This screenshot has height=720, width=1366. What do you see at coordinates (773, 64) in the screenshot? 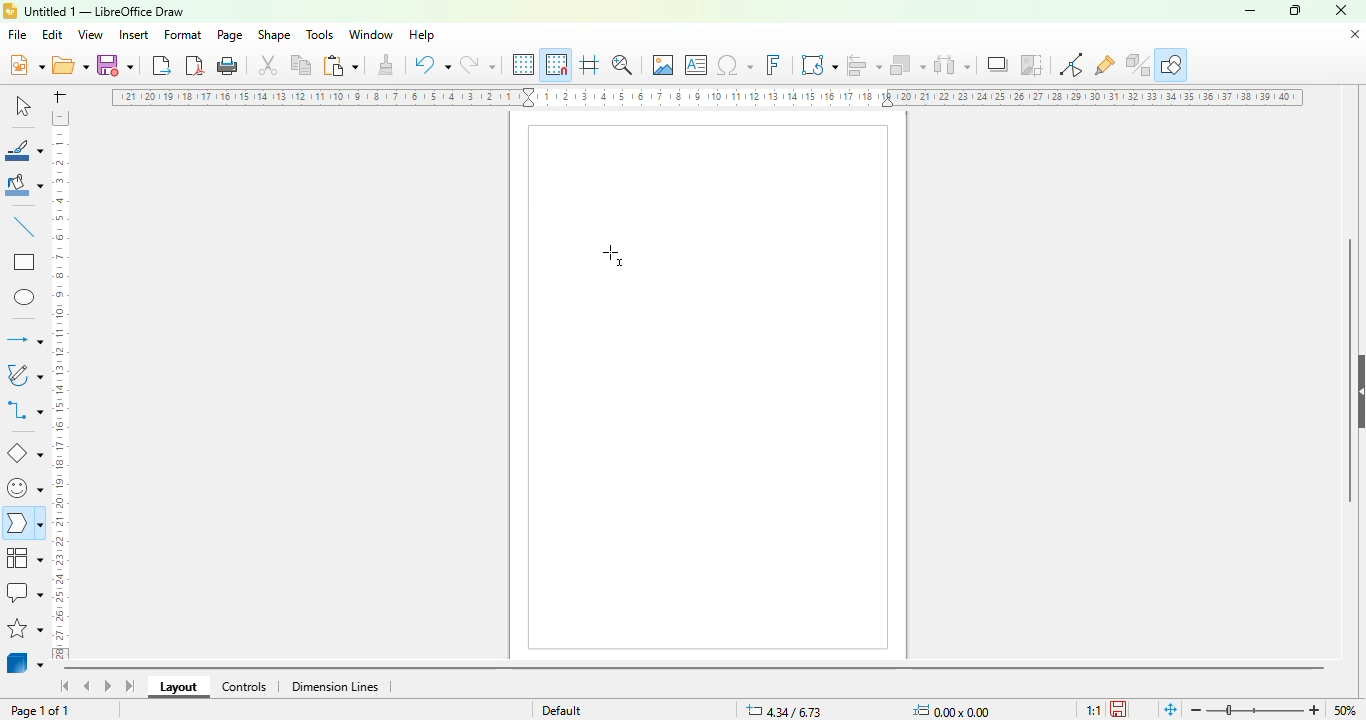
I see `insert fontwork text` at bounding box center [773, 64].